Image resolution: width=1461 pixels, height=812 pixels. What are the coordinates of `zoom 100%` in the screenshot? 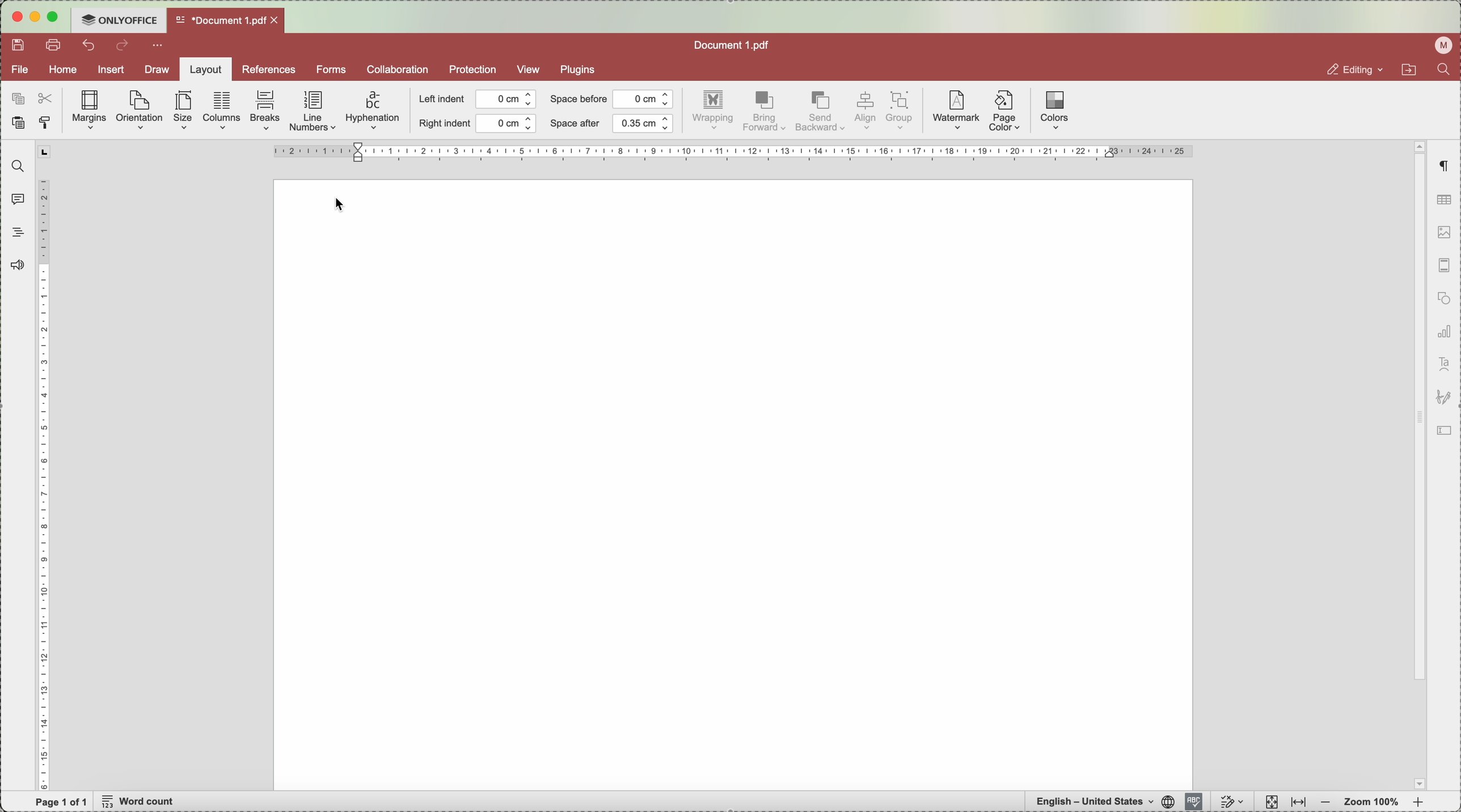 It's located at (1373, 802).